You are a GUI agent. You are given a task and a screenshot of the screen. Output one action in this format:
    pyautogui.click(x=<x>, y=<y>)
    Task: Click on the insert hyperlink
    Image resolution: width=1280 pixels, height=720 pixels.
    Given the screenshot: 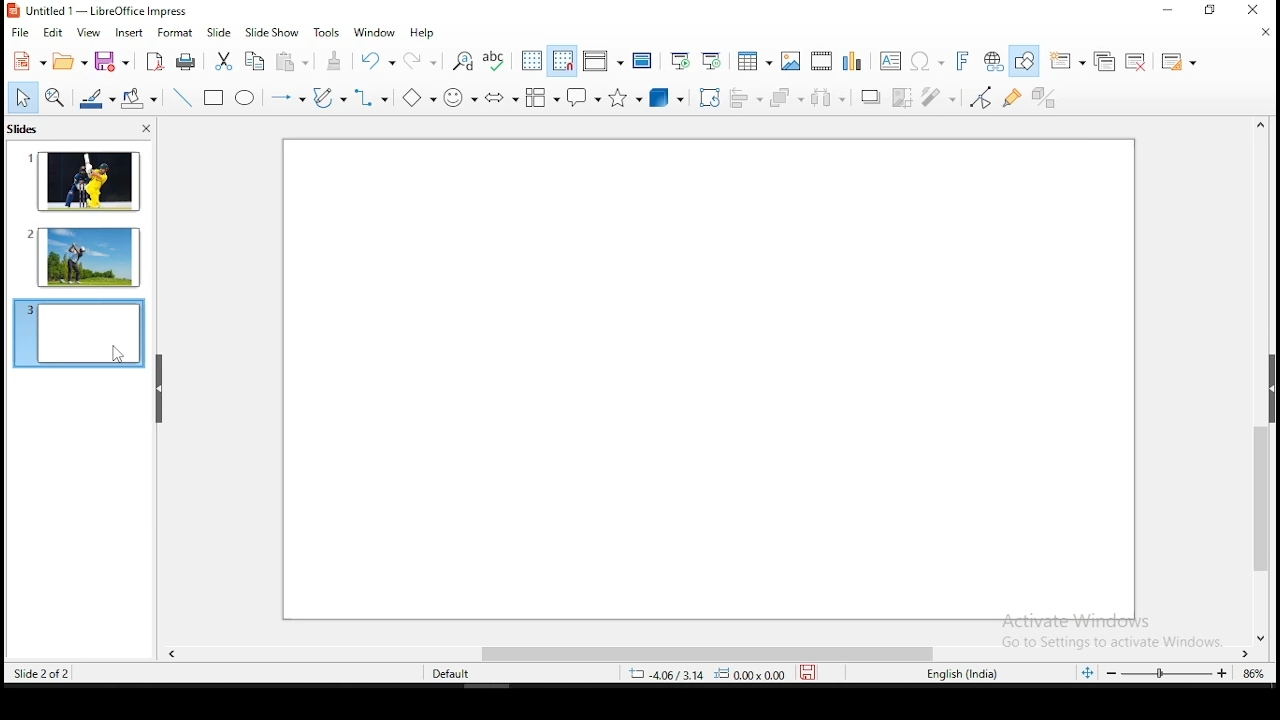 What is the action you would take?
    pyautogui.click(x=991, y=61)
    